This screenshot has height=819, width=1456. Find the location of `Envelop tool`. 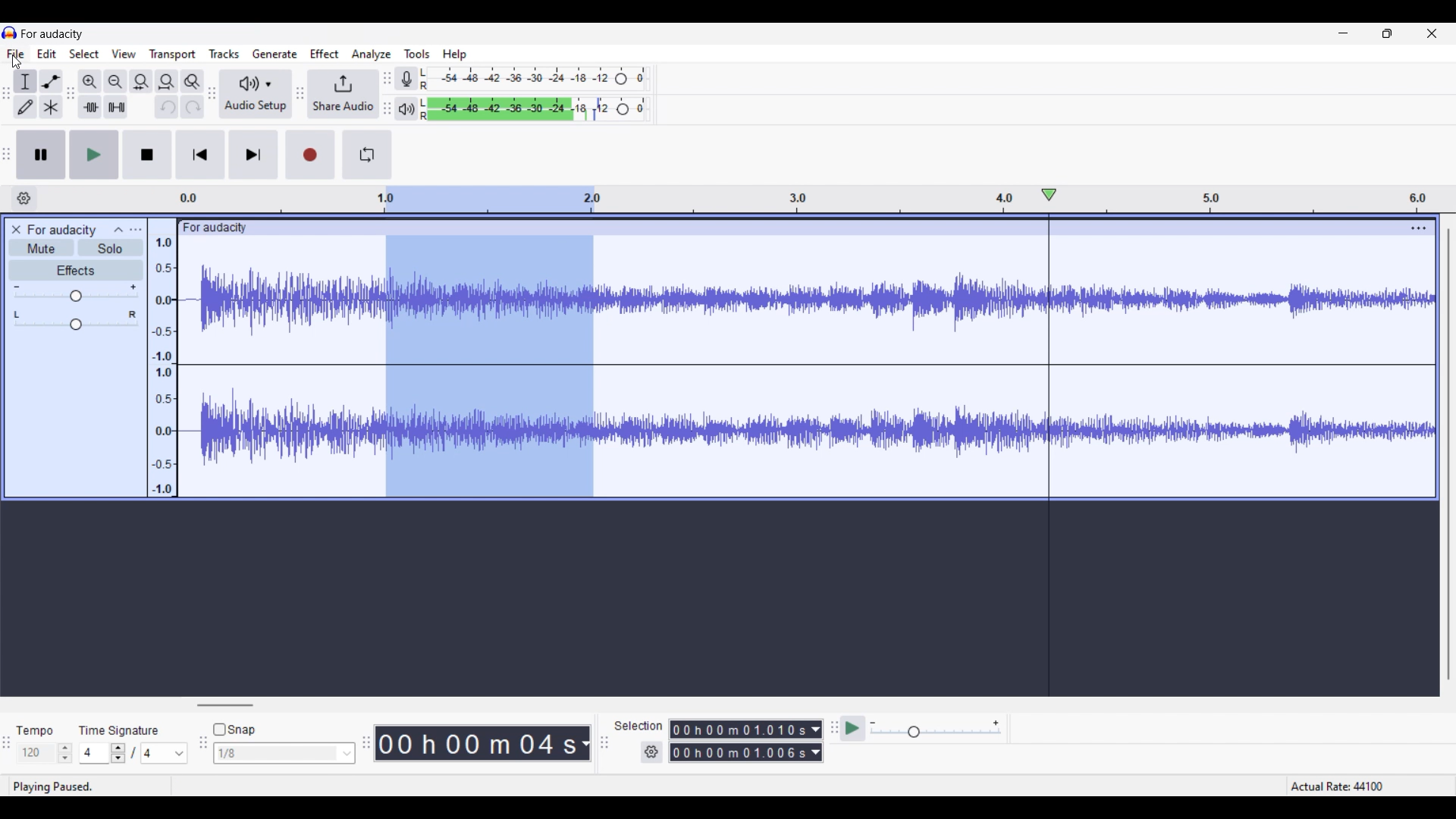

Envelop tool is located at coordinates (52, 82).